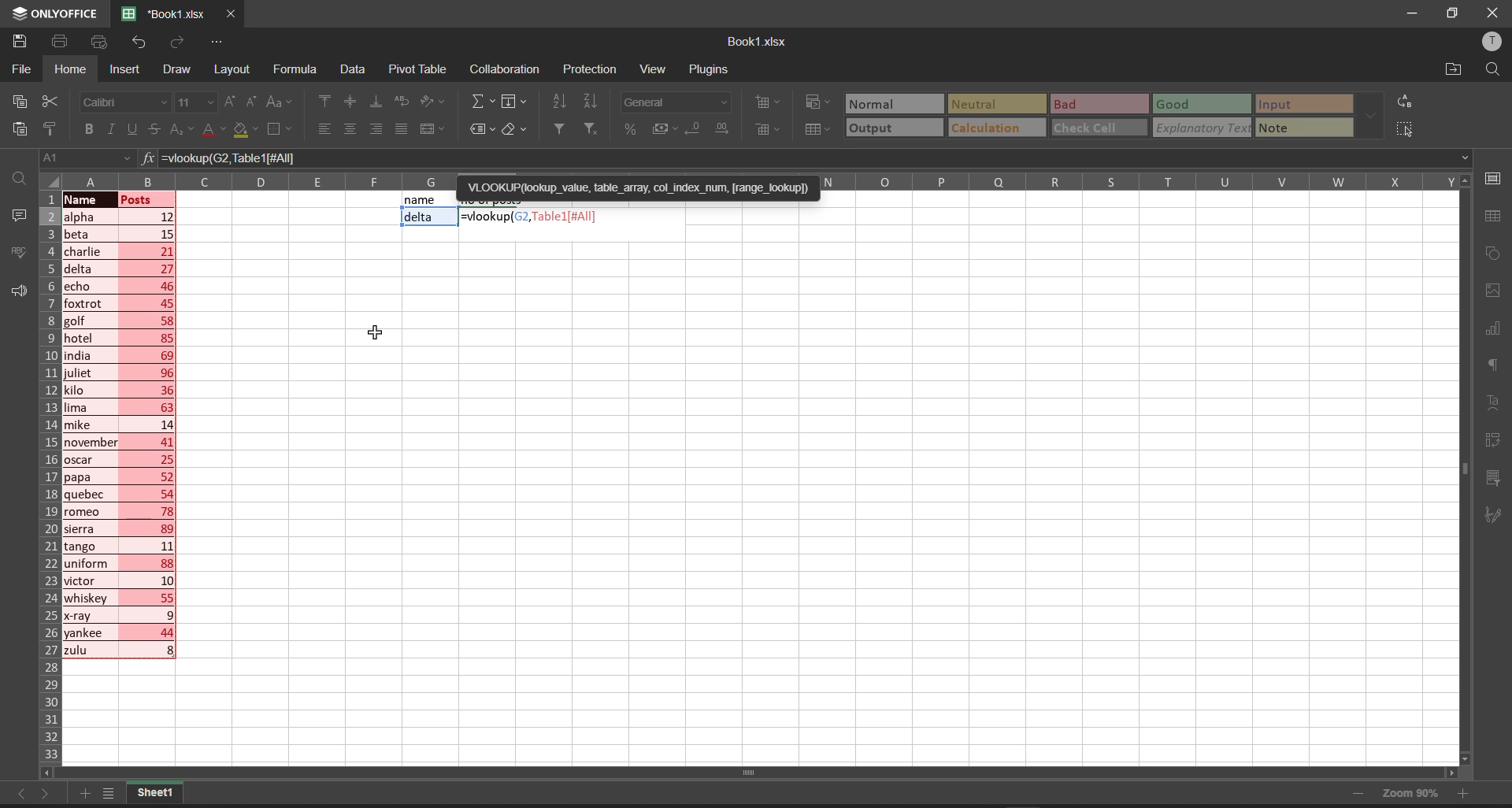  I want to click on delta, so click(421, 218).